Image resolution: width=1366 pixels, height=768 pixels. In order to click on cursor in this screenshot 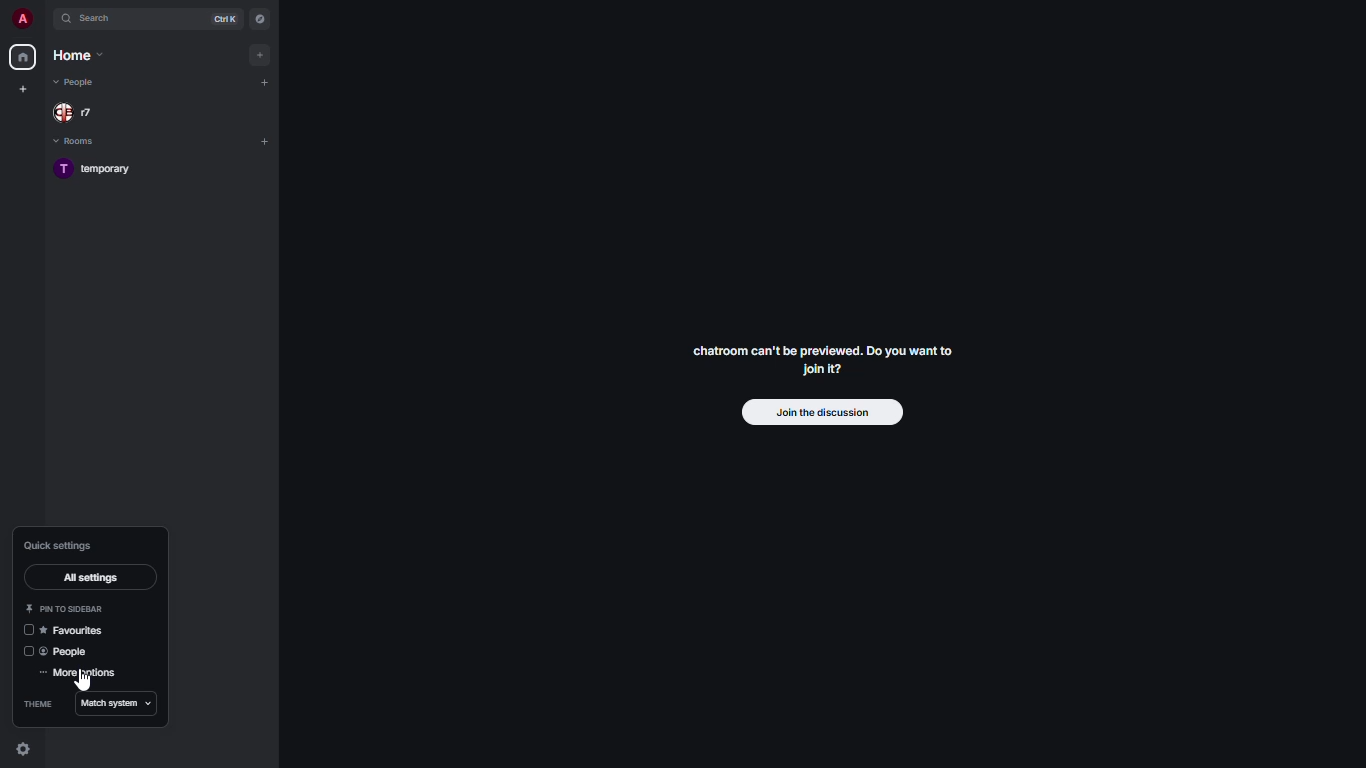, I will do `click(80, 683)`.